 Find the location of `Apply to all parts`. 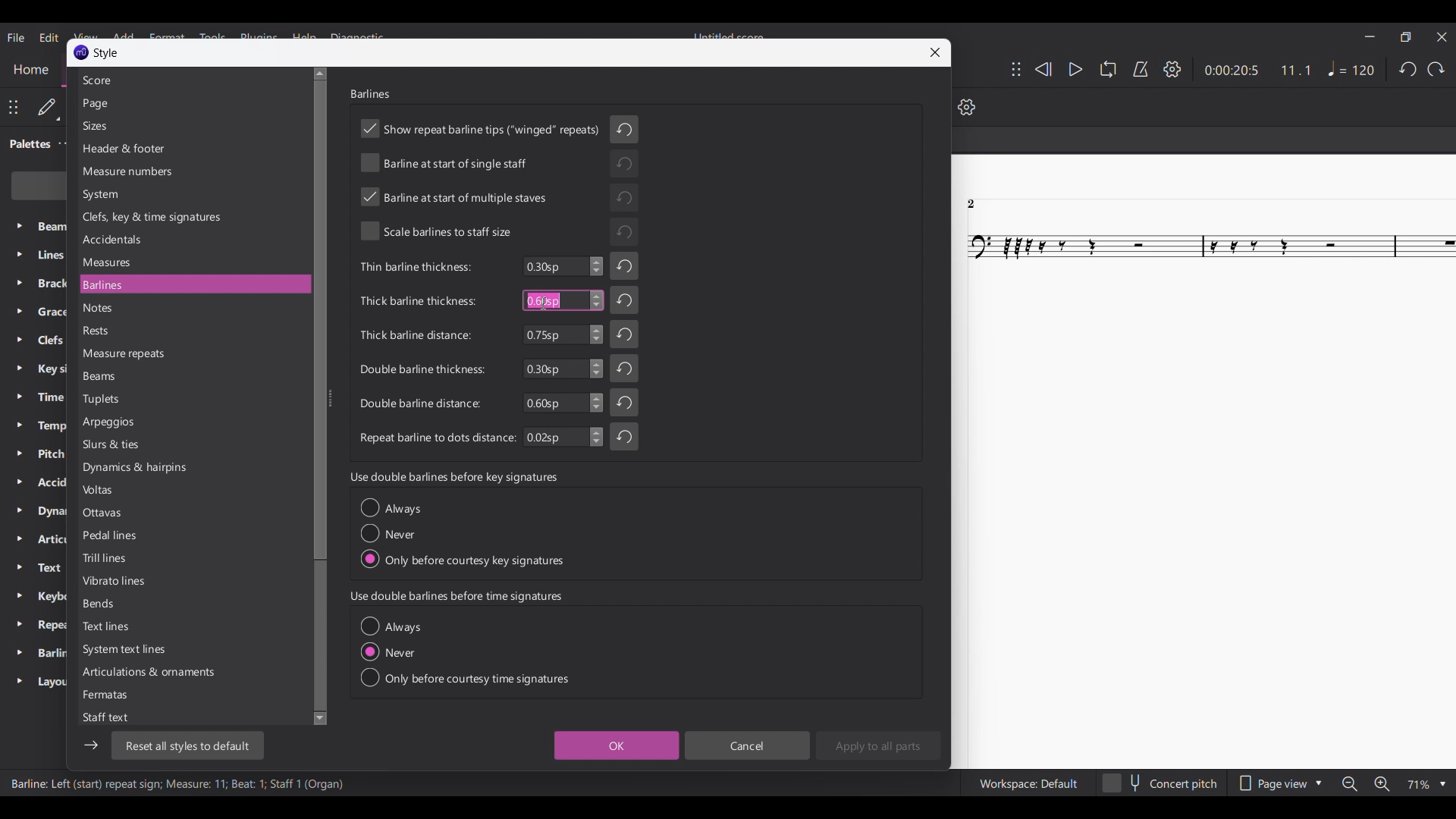

Apply to all parts is located at coordinates (878, 745).